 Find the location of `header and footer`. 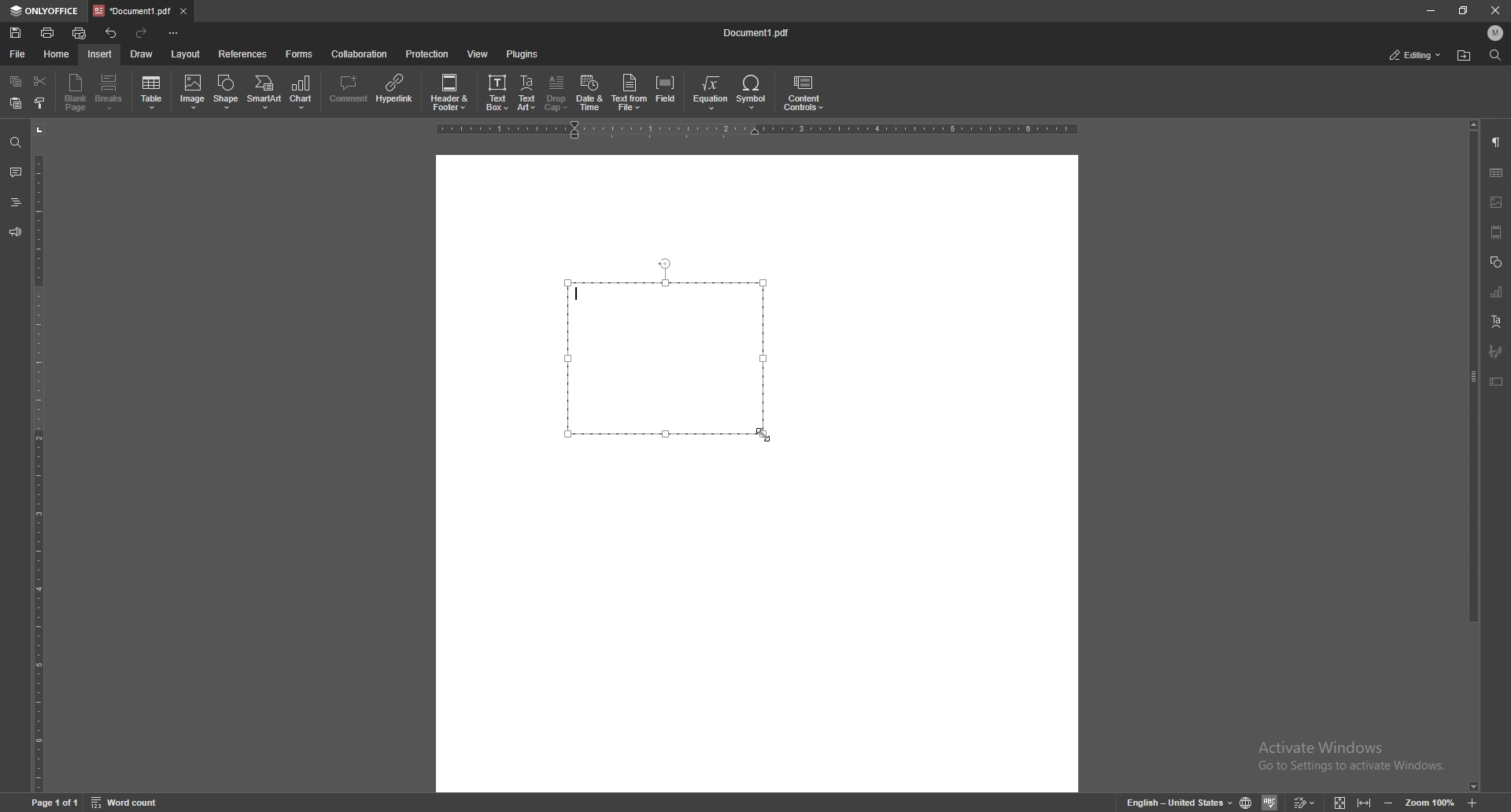

header and footer is located at coordinates (453, 91).